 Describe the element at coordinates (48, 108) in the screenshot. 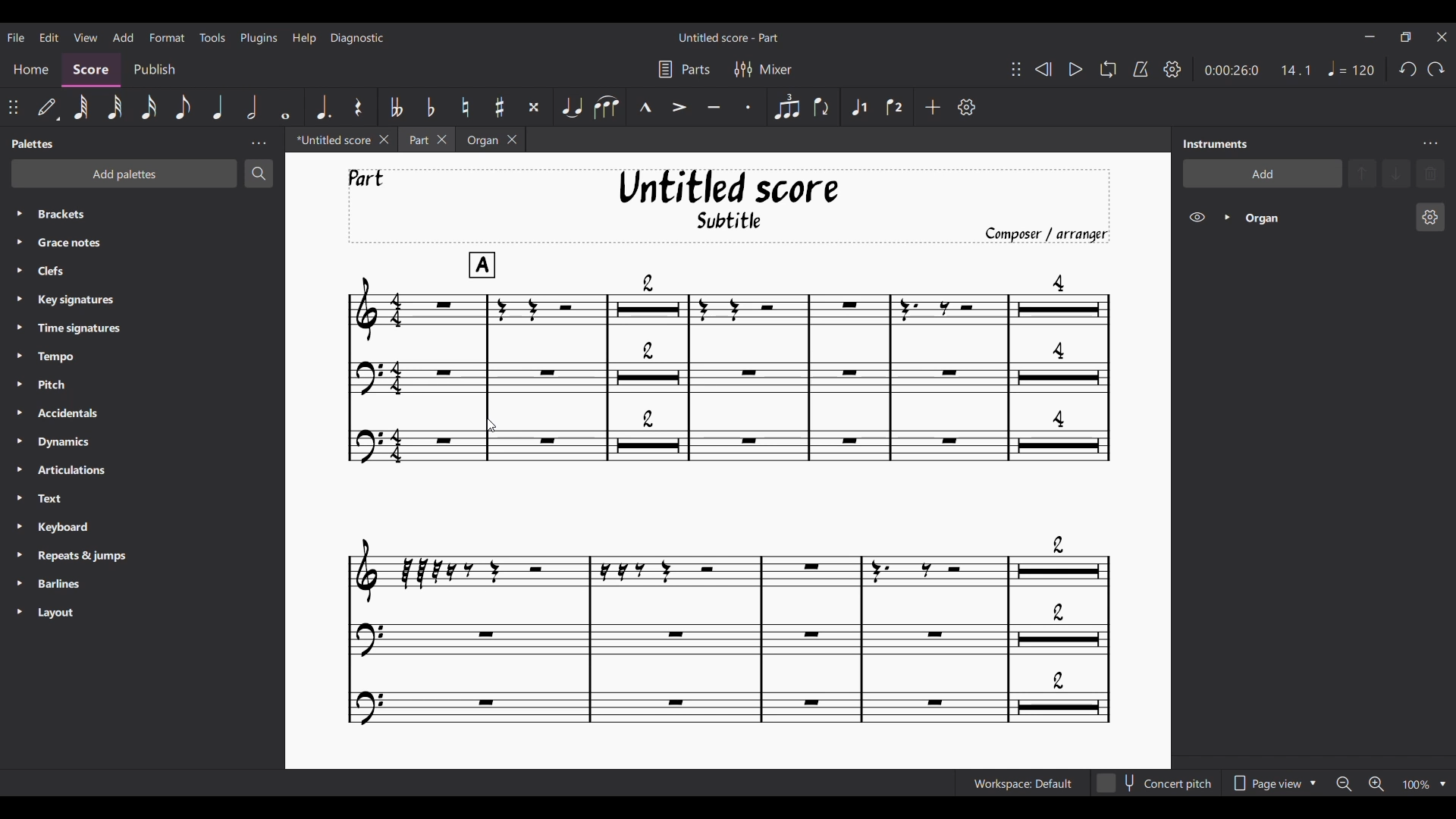

I see `Default` at that location.